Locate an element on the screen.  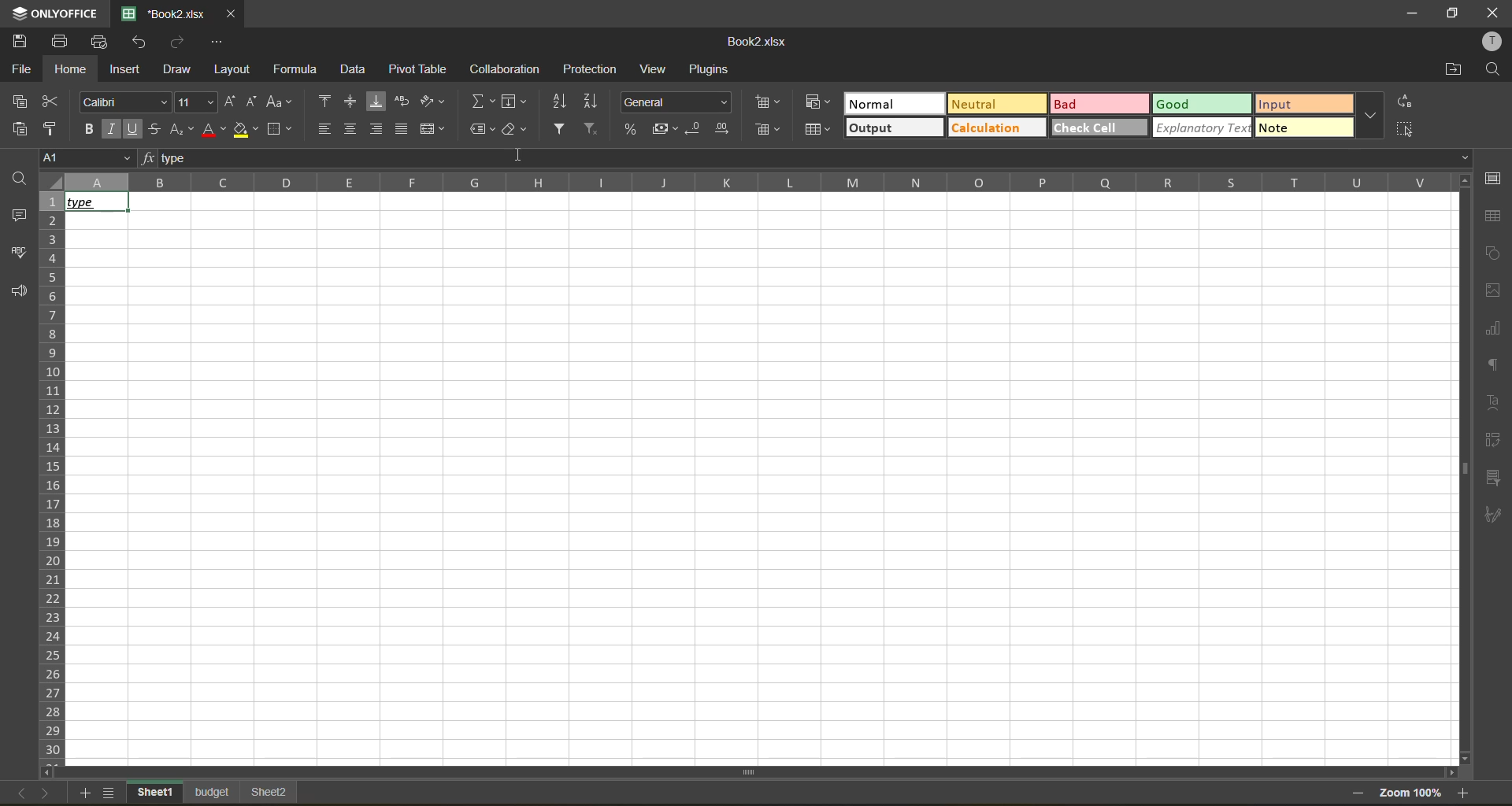
sort ascending is located at coordinates (559, 102).